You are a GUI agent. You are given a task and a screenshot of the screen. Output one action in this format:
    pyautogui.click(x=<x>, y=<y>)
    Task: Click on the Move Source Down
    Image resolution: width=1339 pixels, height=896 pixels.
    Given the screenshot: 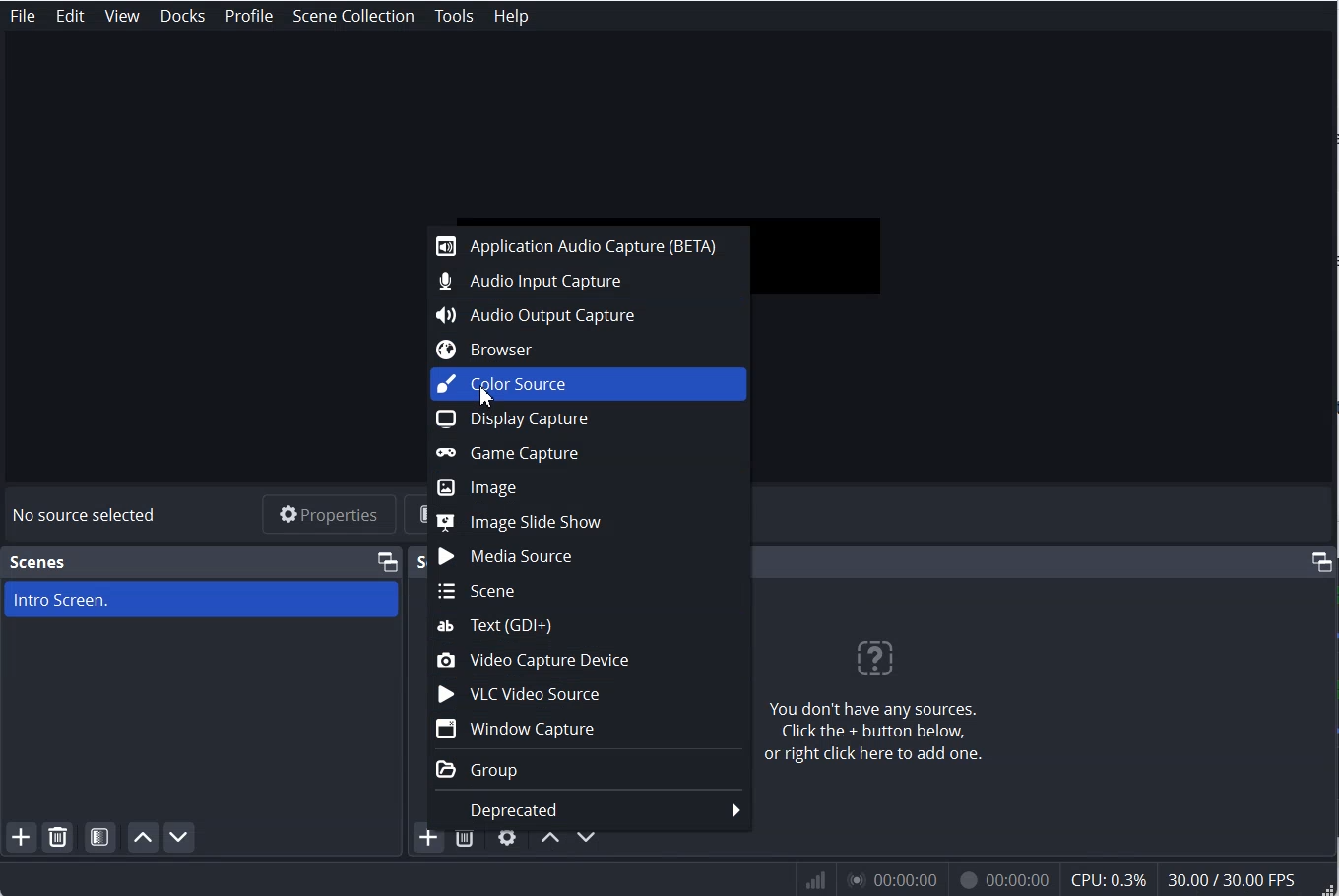 What is the action you would take?
    pyautogui.click(x=588, y=840)
    